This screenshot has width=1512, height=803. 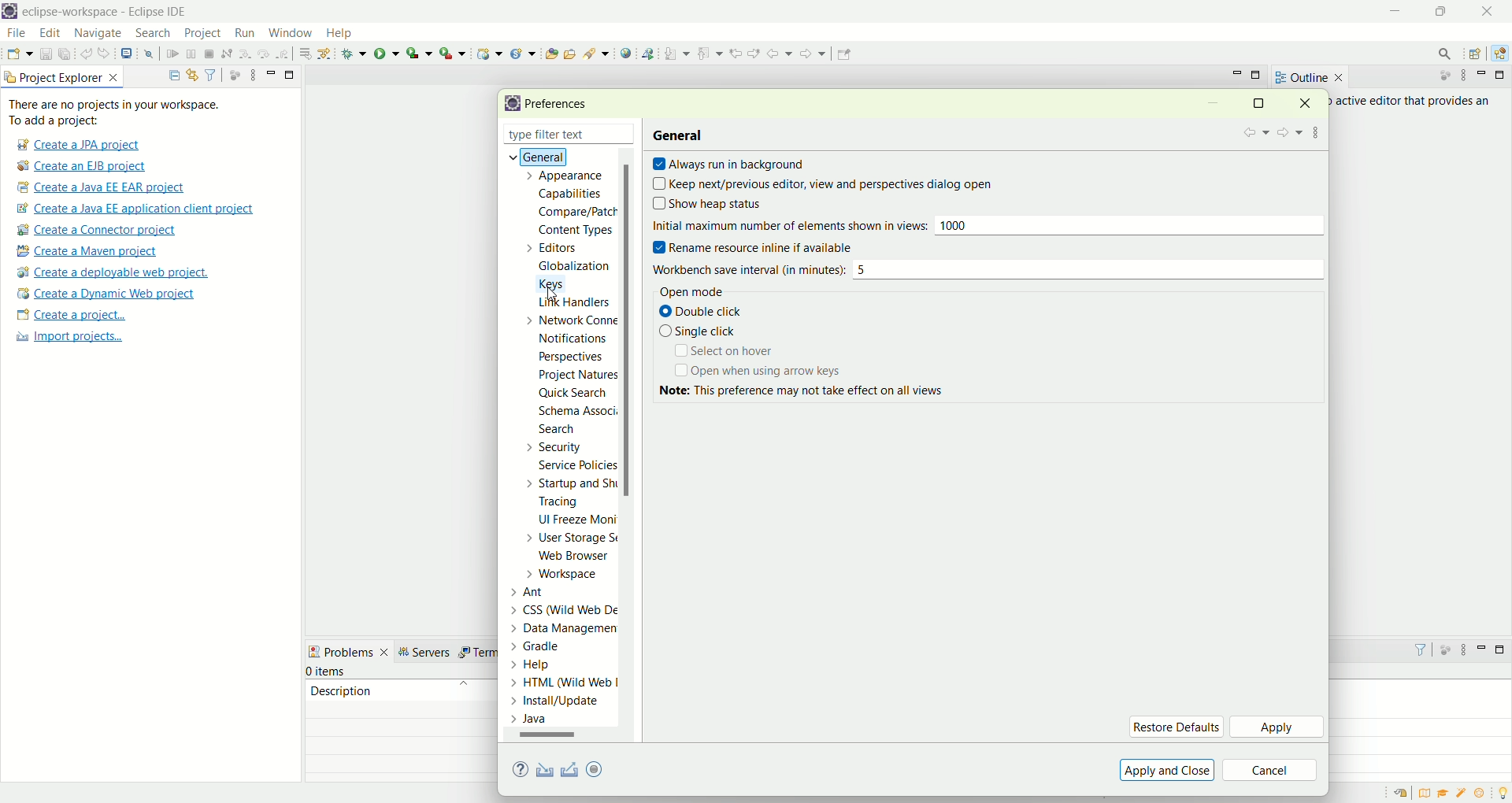 What do you see at coordinates (580, 413) in the screenshot?
I see `schema association` at bounding box center [580, 413].